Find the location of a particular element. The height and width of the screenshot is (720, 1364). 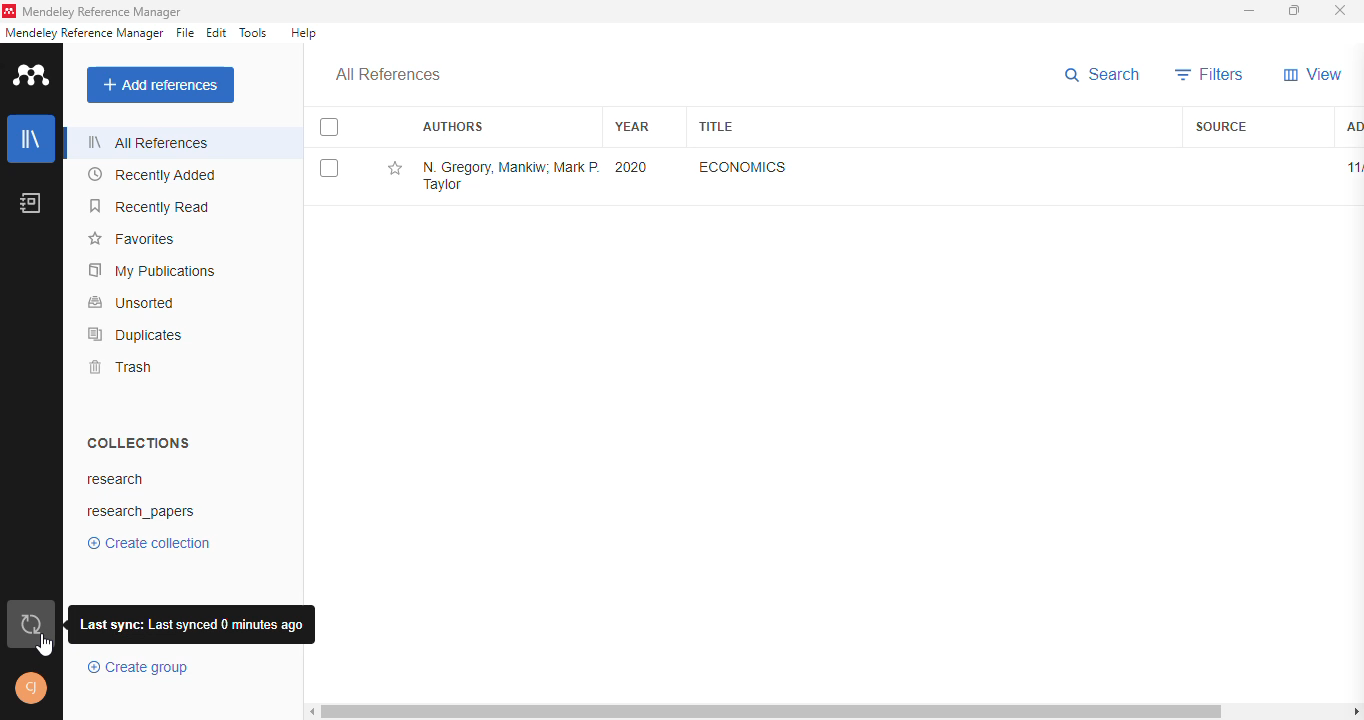

create group is located at coordinates (140, 668).